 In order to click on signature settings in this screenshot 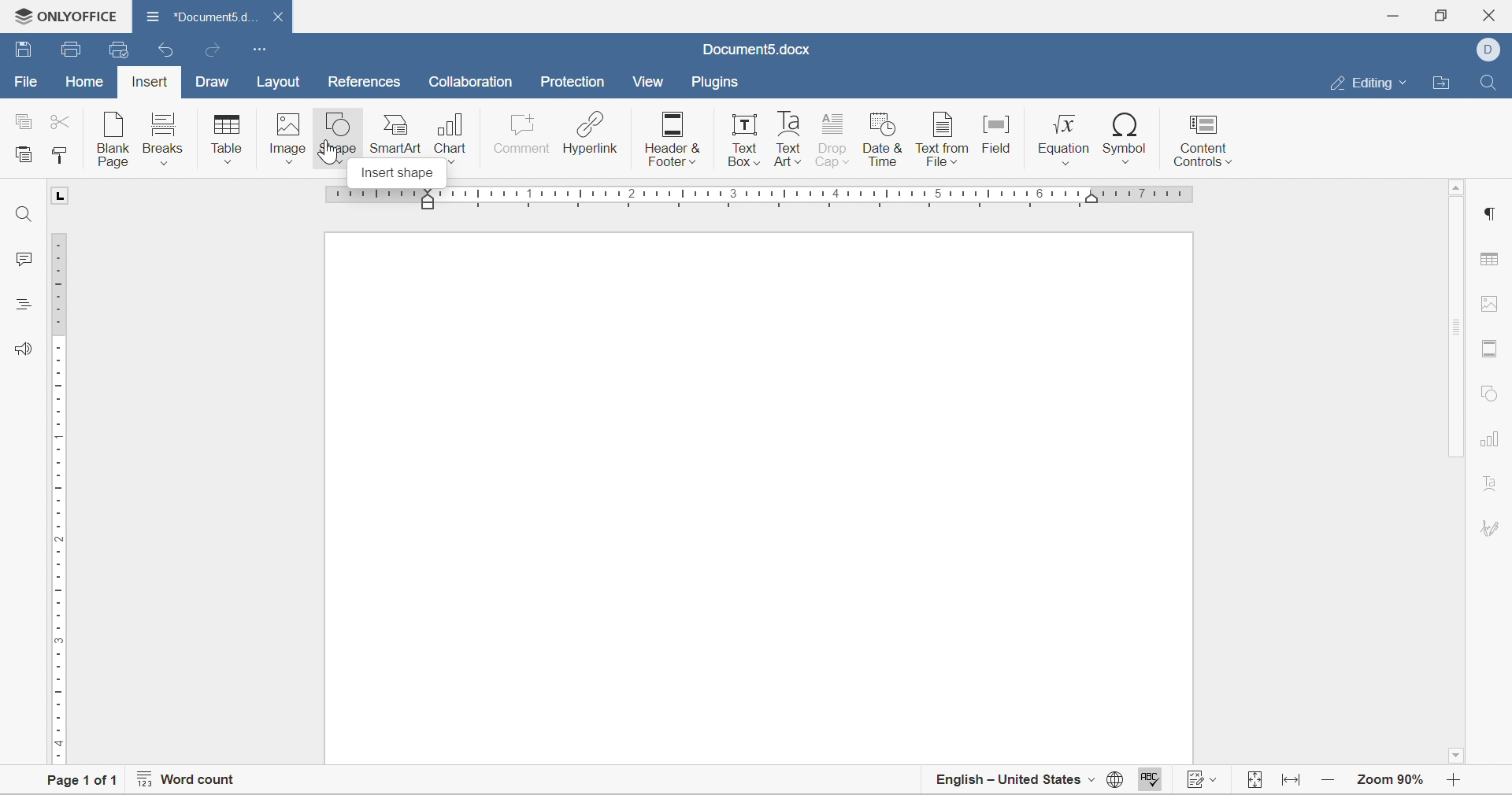, I will do `click(1492, 527)`.